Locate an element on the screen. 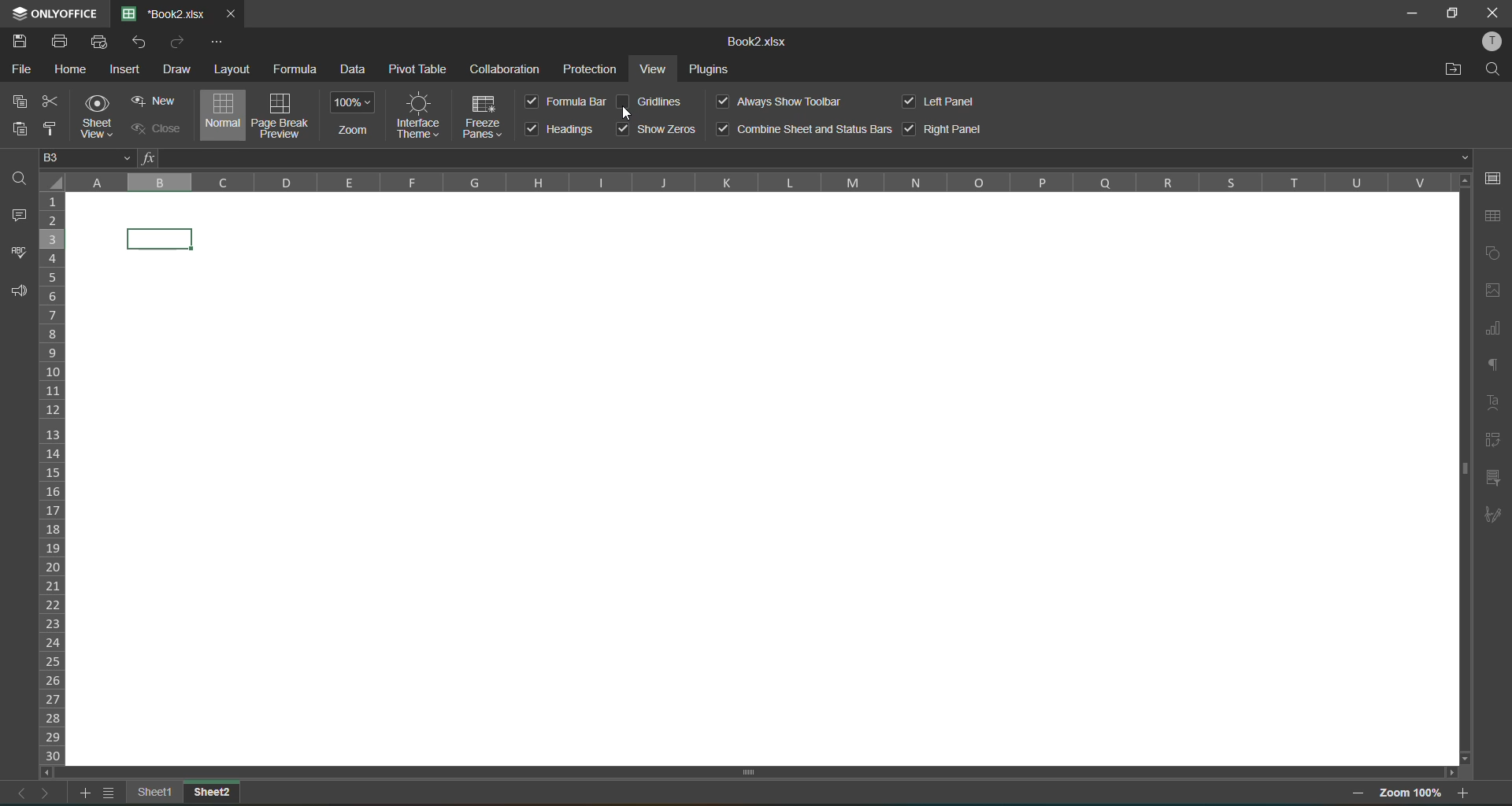 The width and height of the screenshot is (1512, 806). maximize is located at coordinates (1456, 14).